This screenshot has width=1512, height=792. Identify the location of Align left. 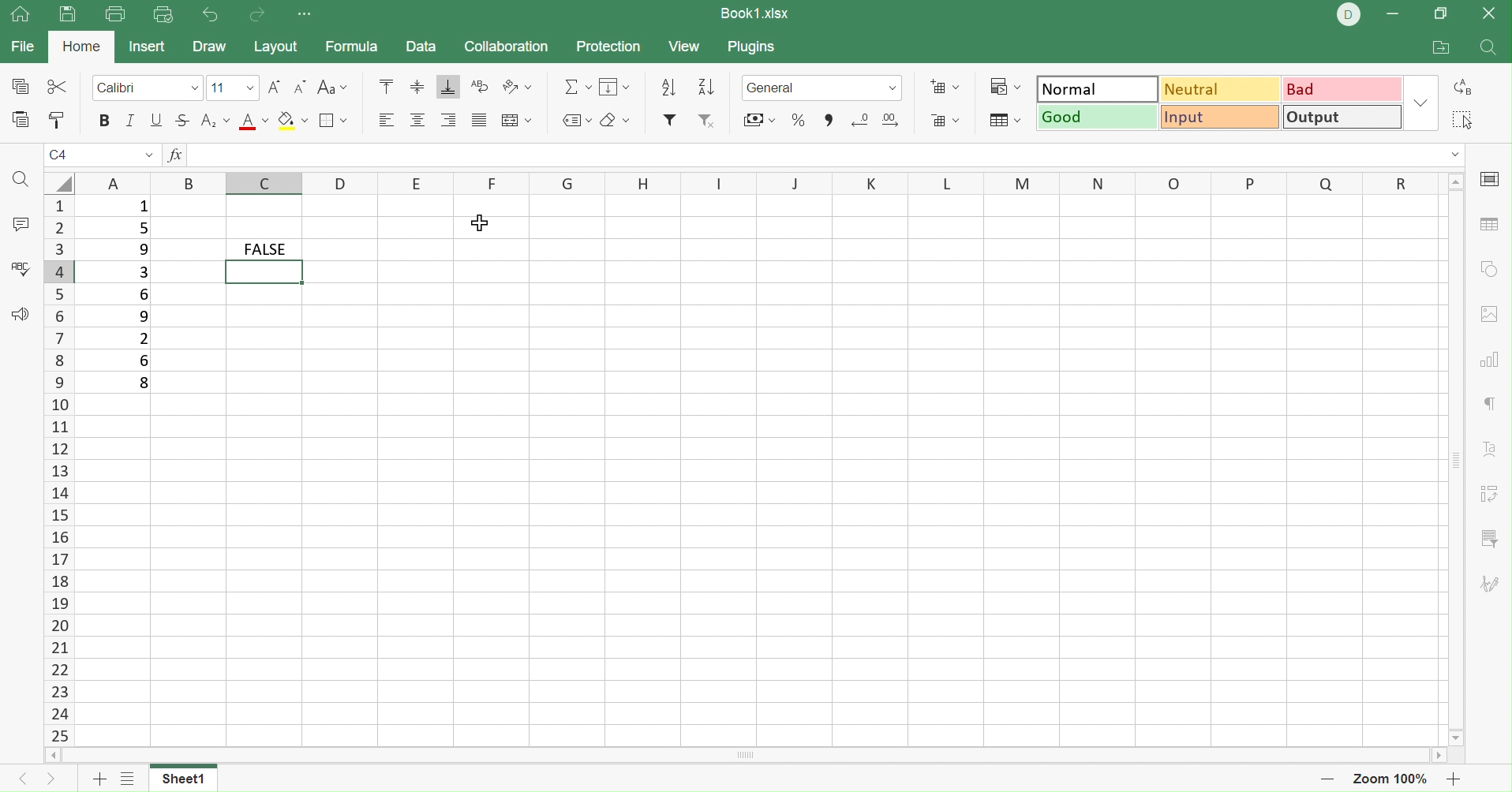
(386, 120).